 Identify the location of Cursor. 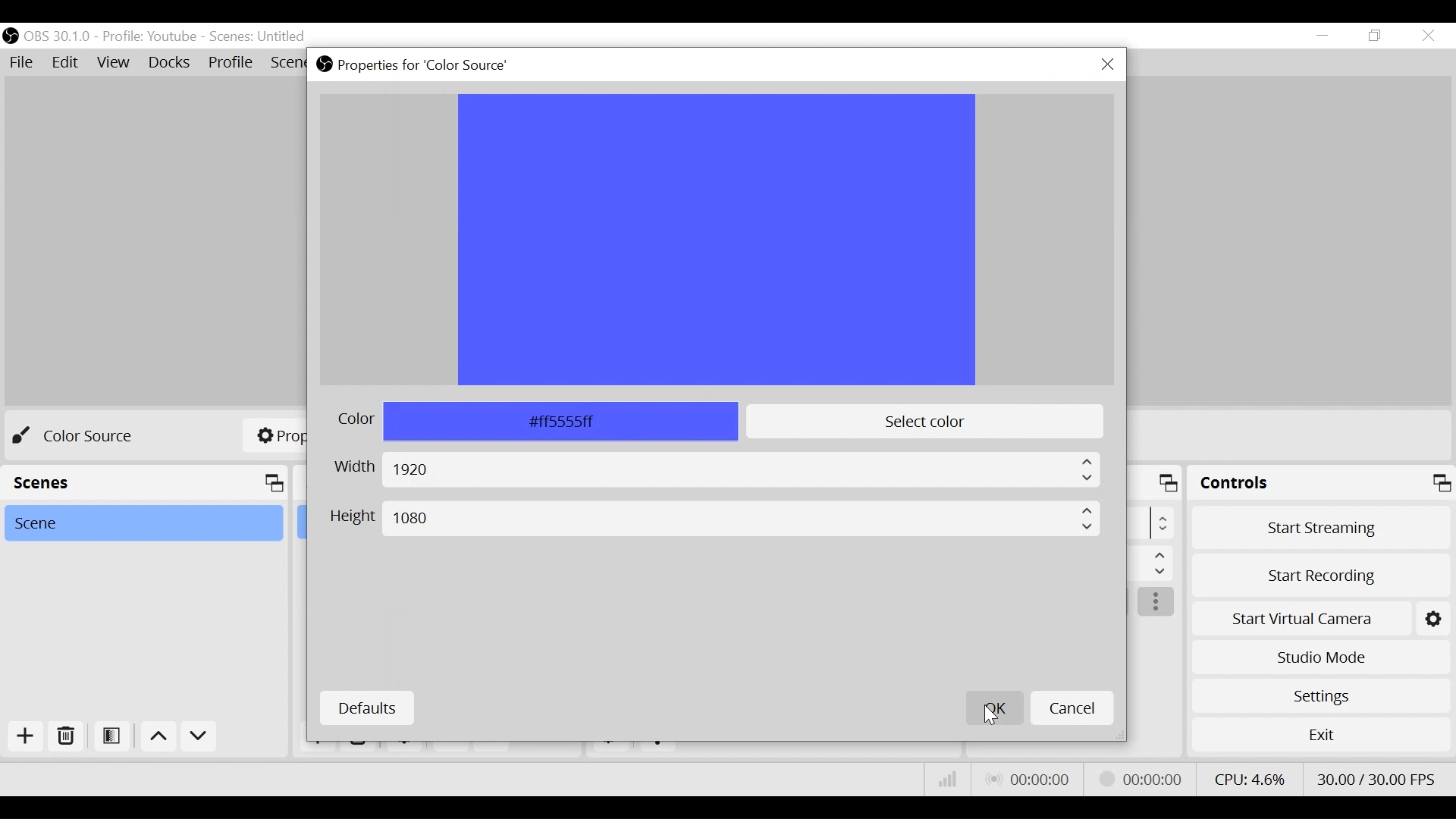
(990, 718).